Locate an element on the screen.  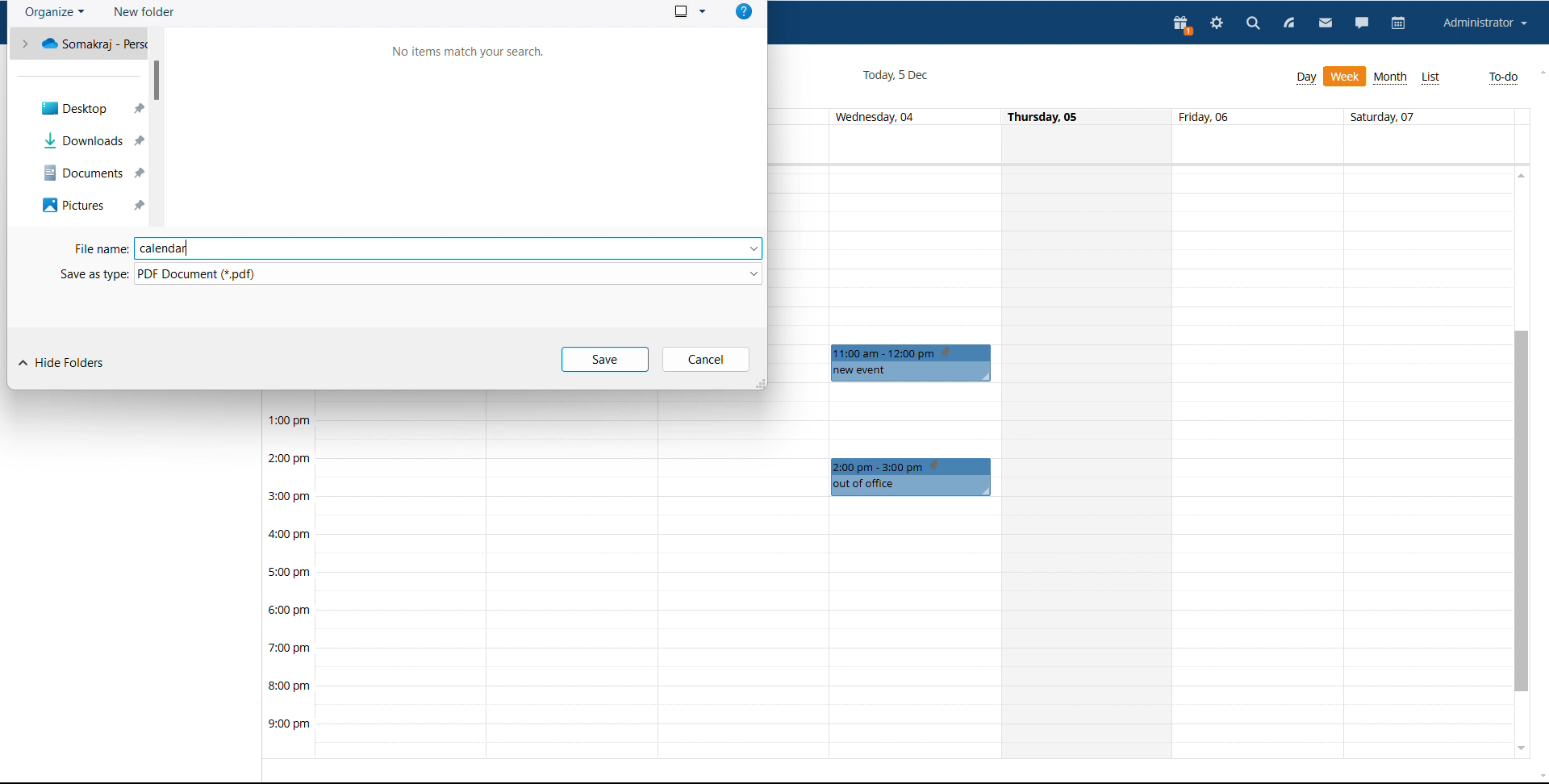
view options is located at coordinates (689, 10).